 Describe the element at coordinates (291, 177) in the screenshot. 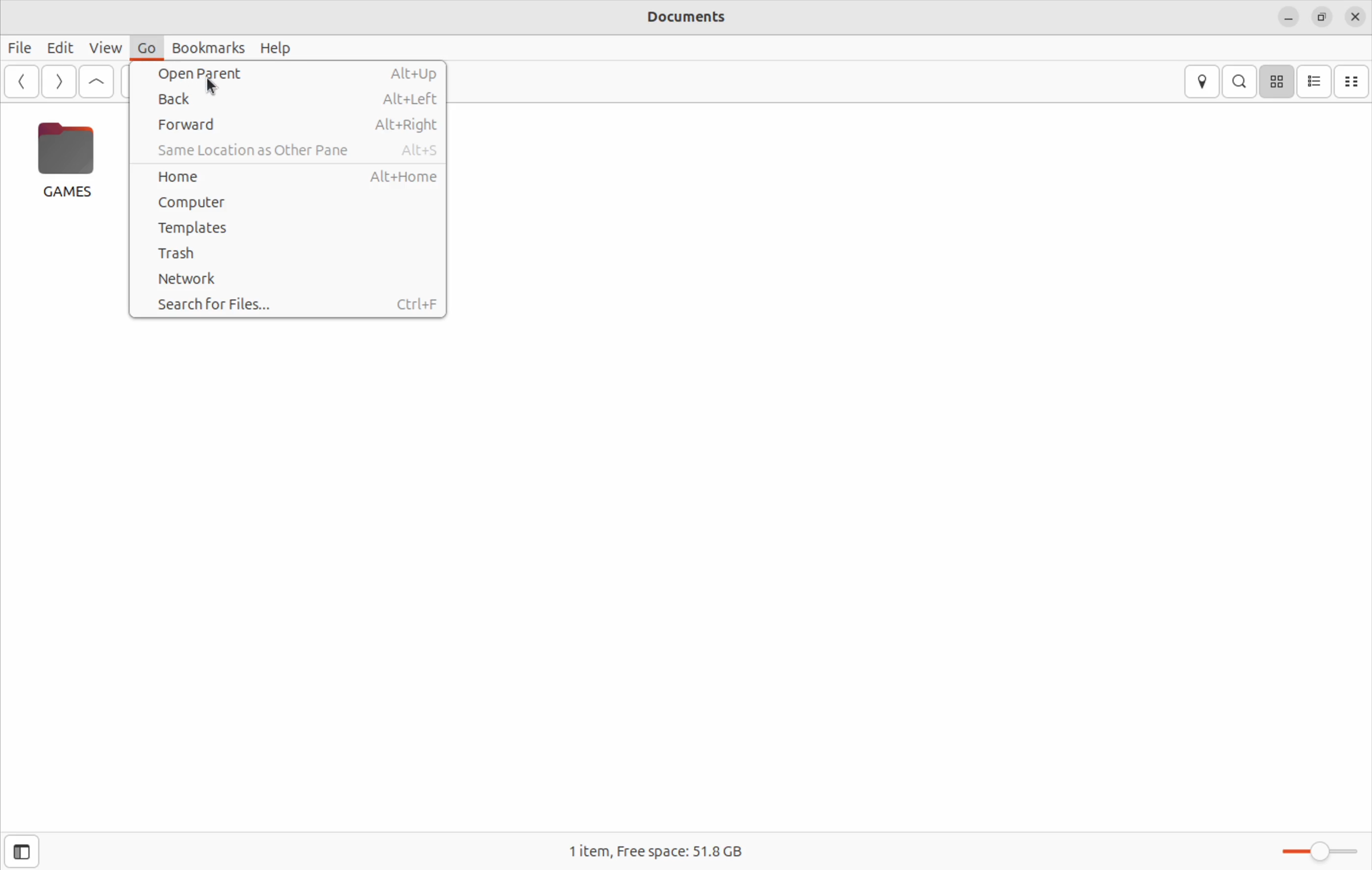

I see `home` at that location.